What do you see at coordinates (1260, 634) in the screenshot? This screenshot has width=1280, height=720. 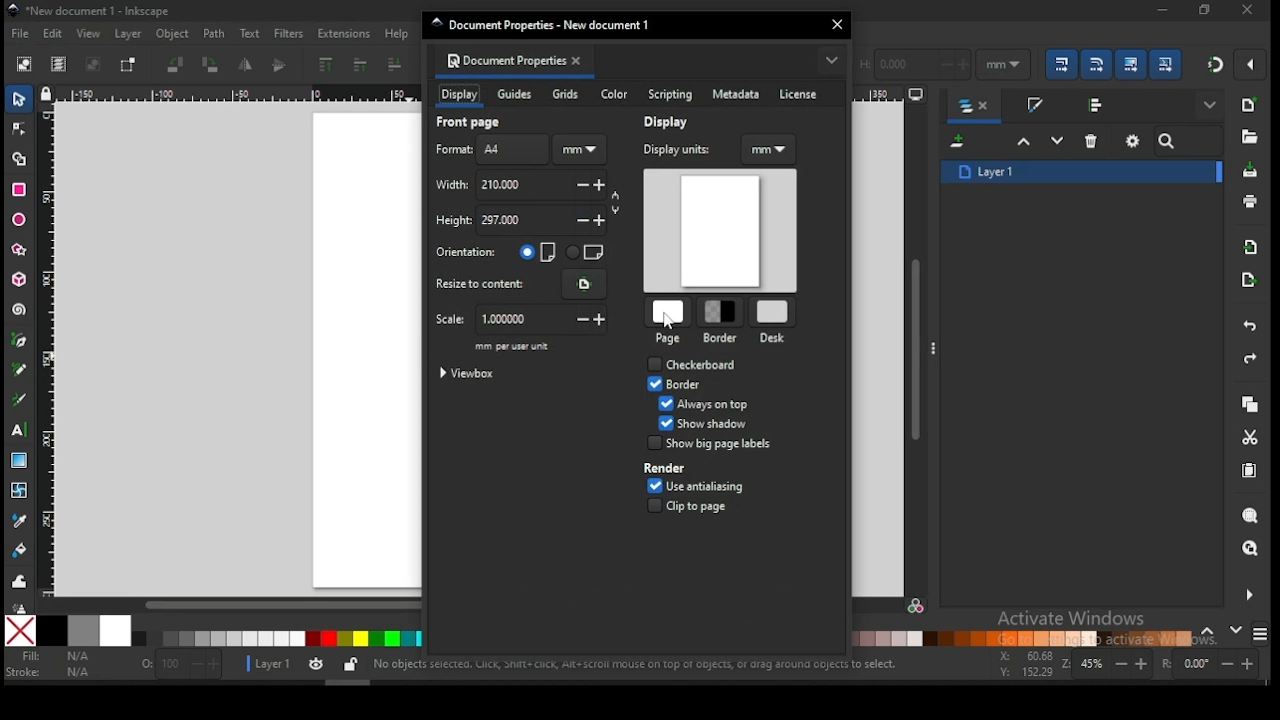 I see `color modes` at bounding box center [1260, 634].